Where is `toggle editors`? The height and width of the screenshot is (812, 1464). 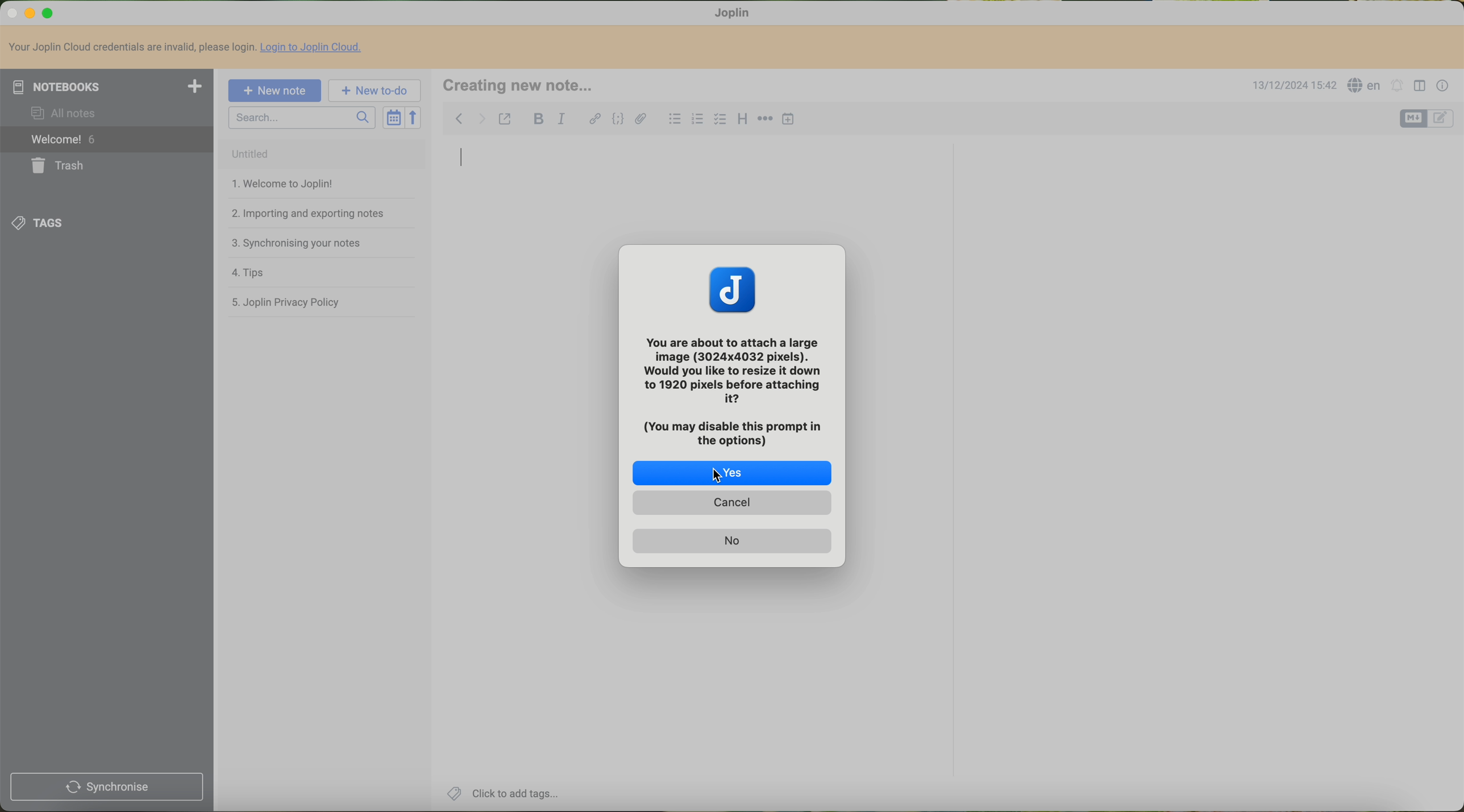 toggle editors is located at coordinates (1443, 120).